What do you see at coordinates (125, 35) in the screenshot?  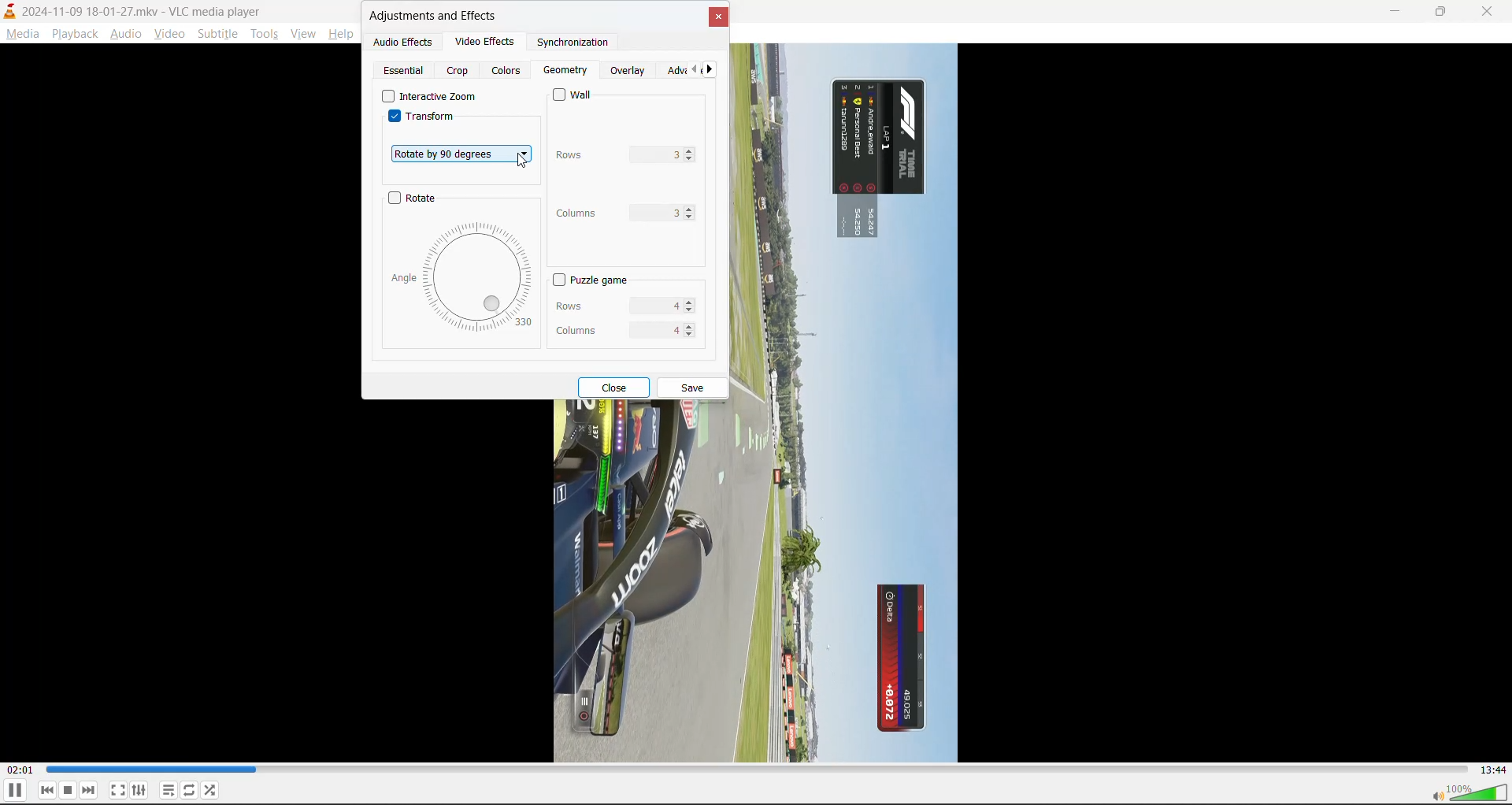 I see `audio` at bounding box center [125, 35].